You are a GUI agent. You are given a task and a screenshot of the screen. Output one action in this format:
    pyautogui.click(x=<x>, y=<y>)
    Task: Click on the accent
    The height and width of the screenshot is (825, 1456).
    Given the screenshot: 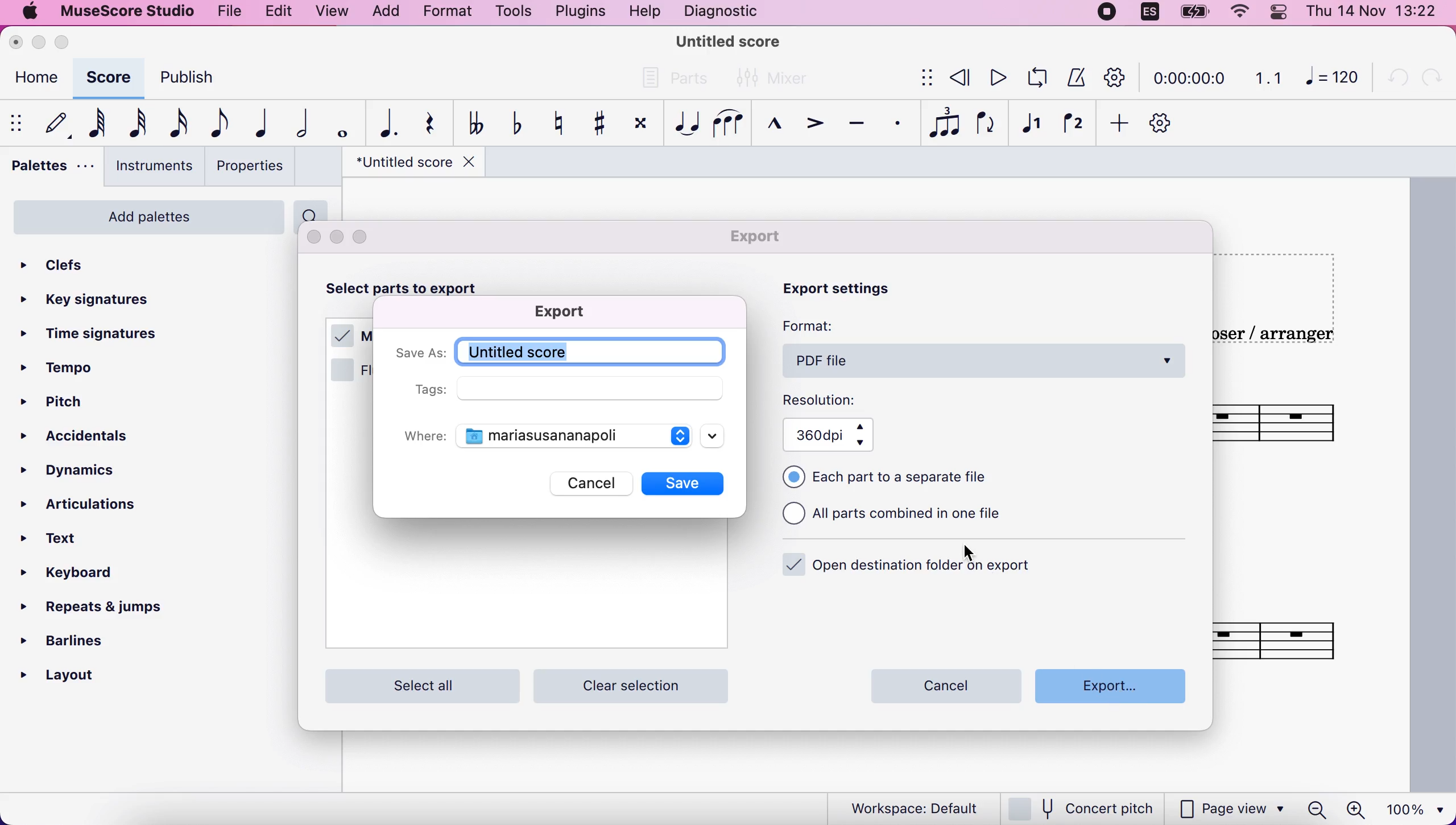 What is the action you would take?
    pyautogui.click(x=811, y=126)
    